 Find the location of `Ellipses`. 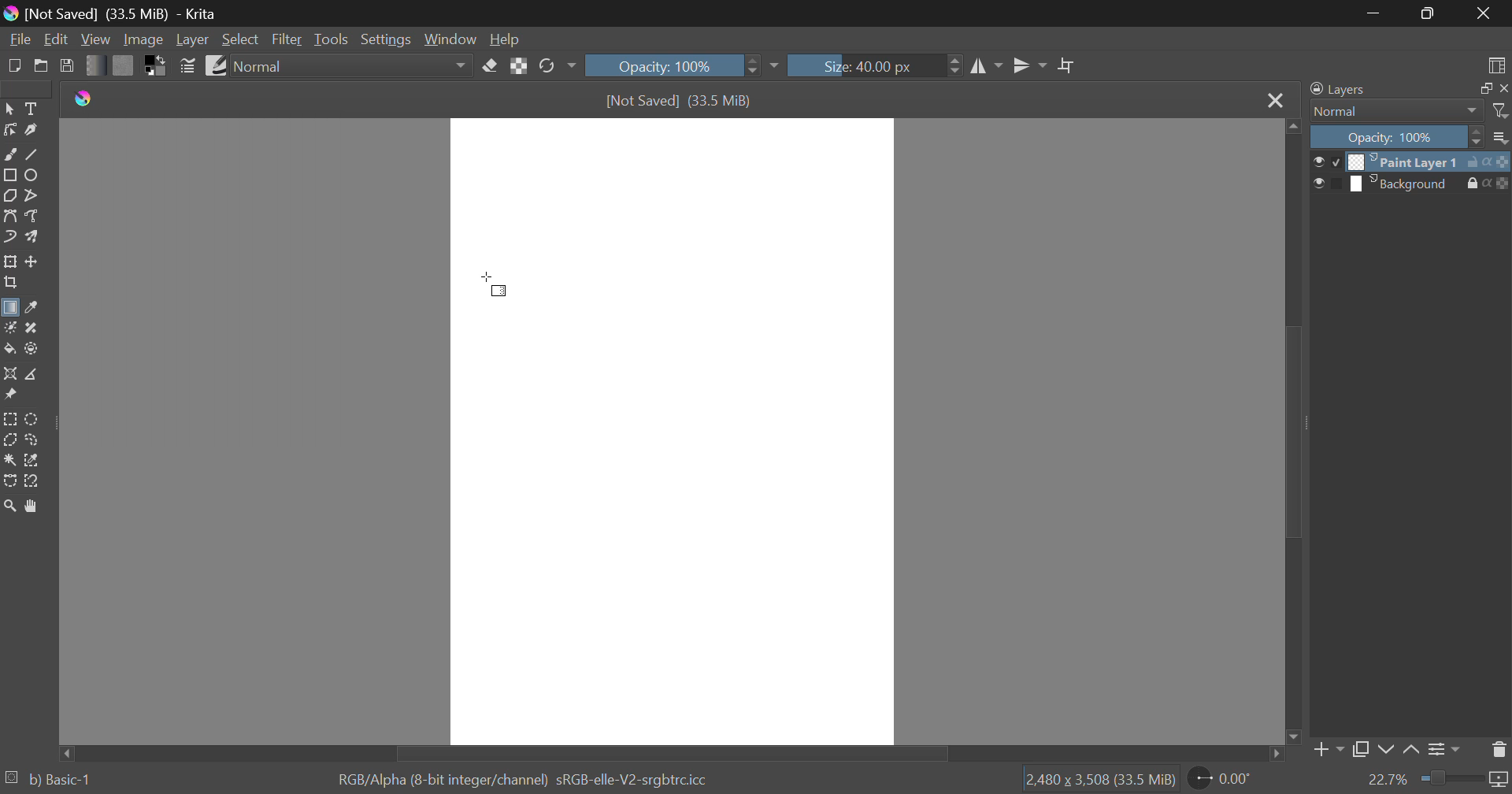

Ellipses is located at coordinates (32, 175).